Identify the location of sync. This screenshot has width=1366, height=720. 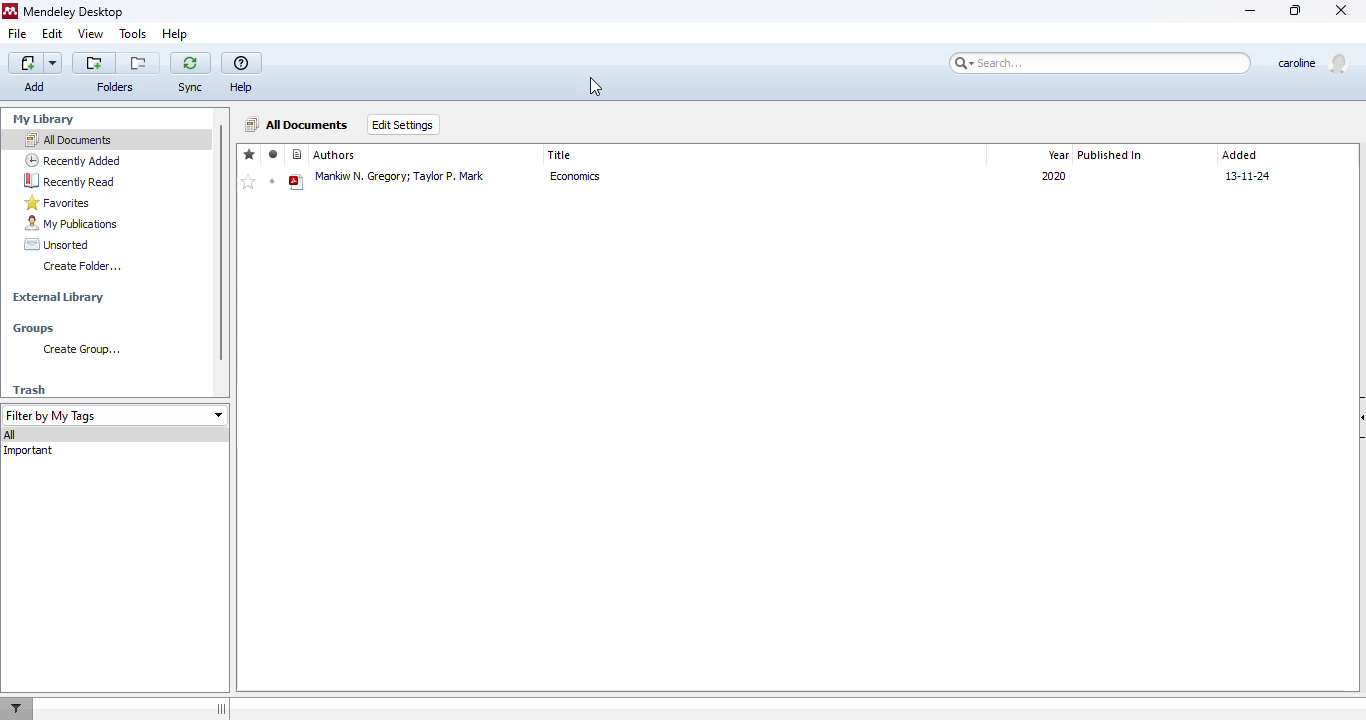
(190, 87).